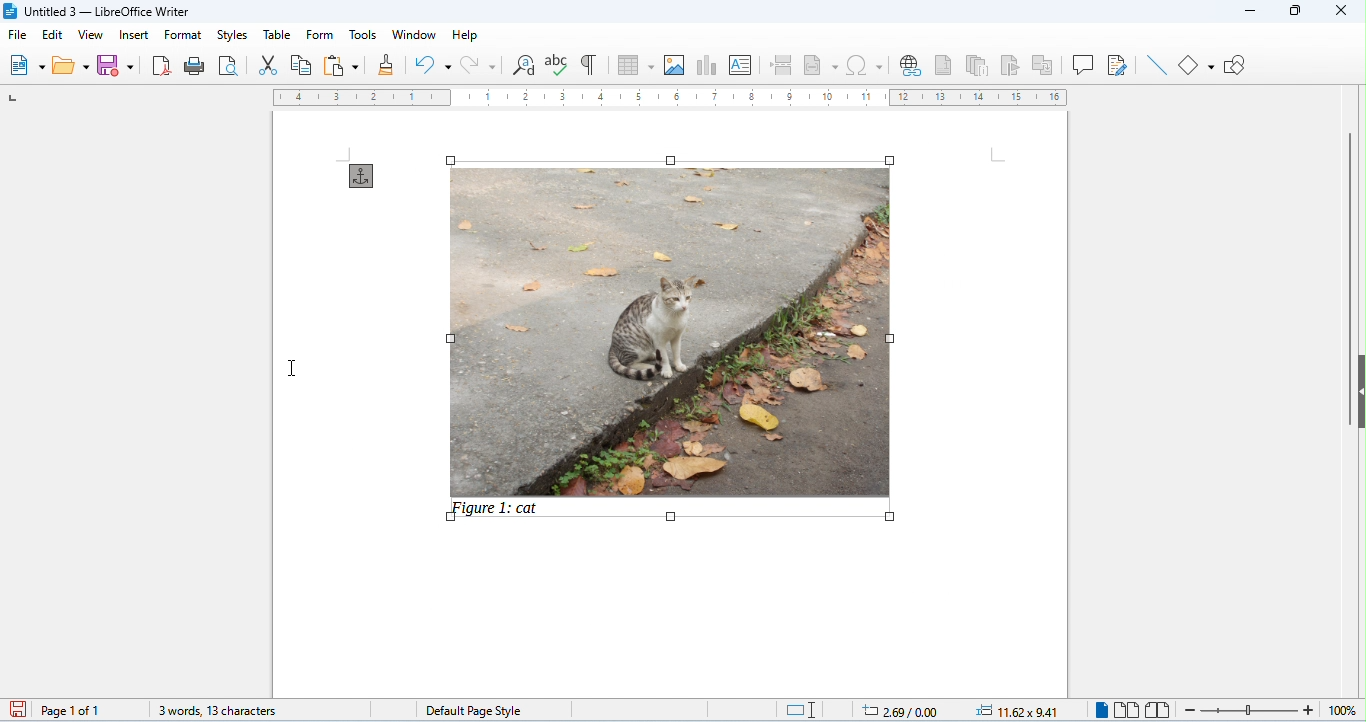  I want to click on view, so click(89, 34).